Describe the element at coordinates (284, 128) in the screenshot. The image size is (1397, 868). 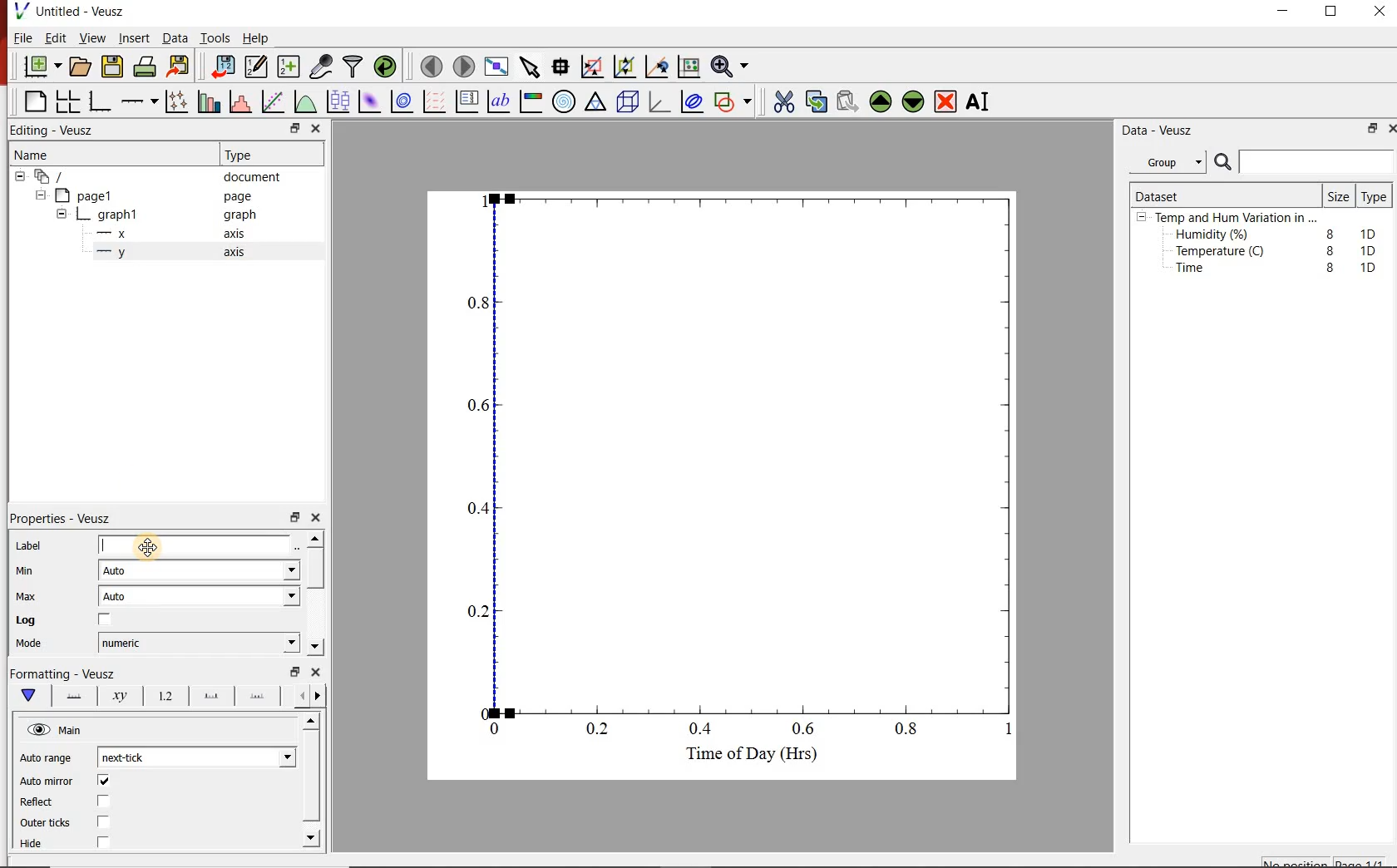
I see `restore down` at that location.